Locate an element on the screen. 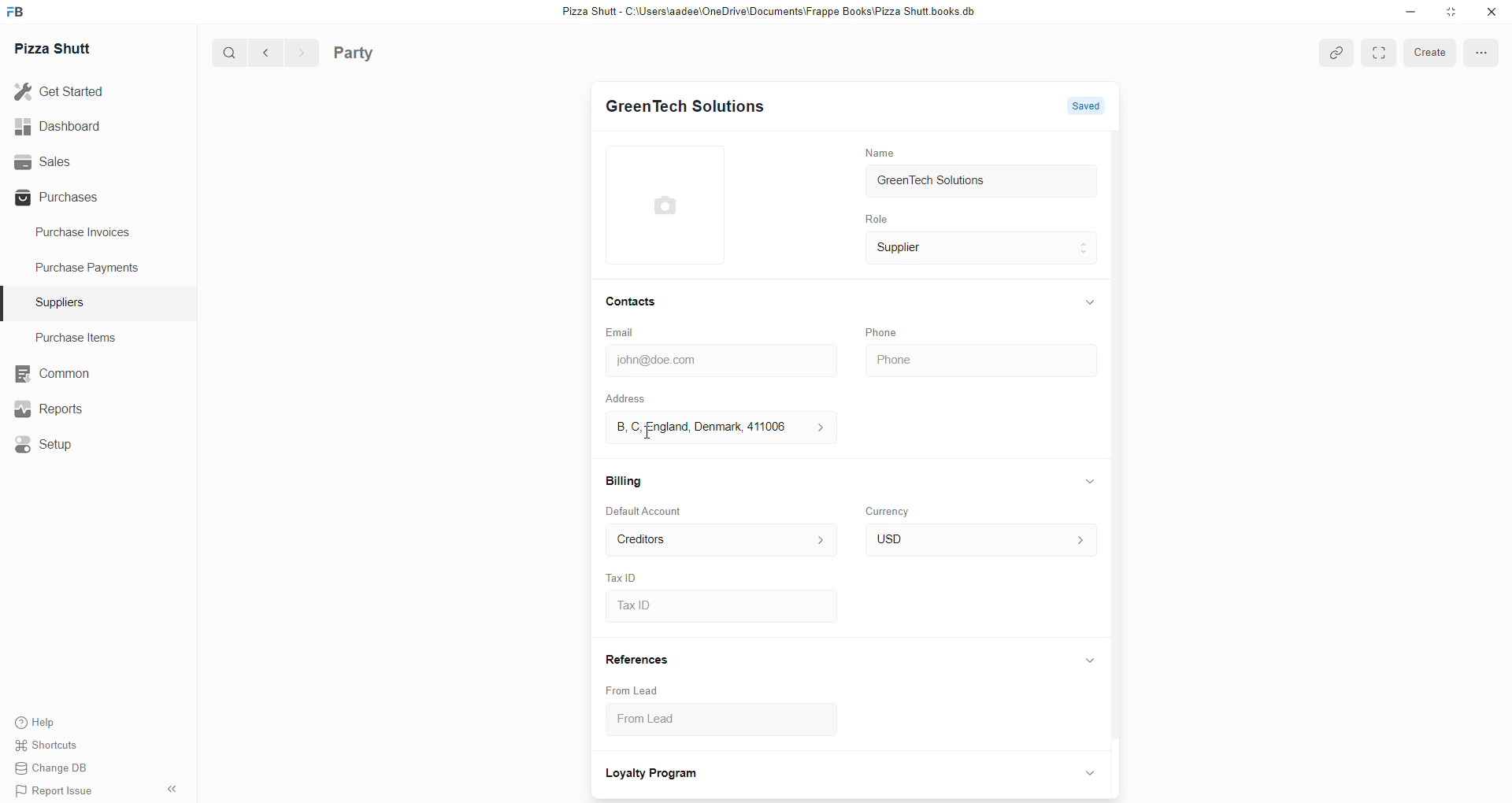 This screenshot has width=1512, height=803. hide is located at coordinates (1091, 481).